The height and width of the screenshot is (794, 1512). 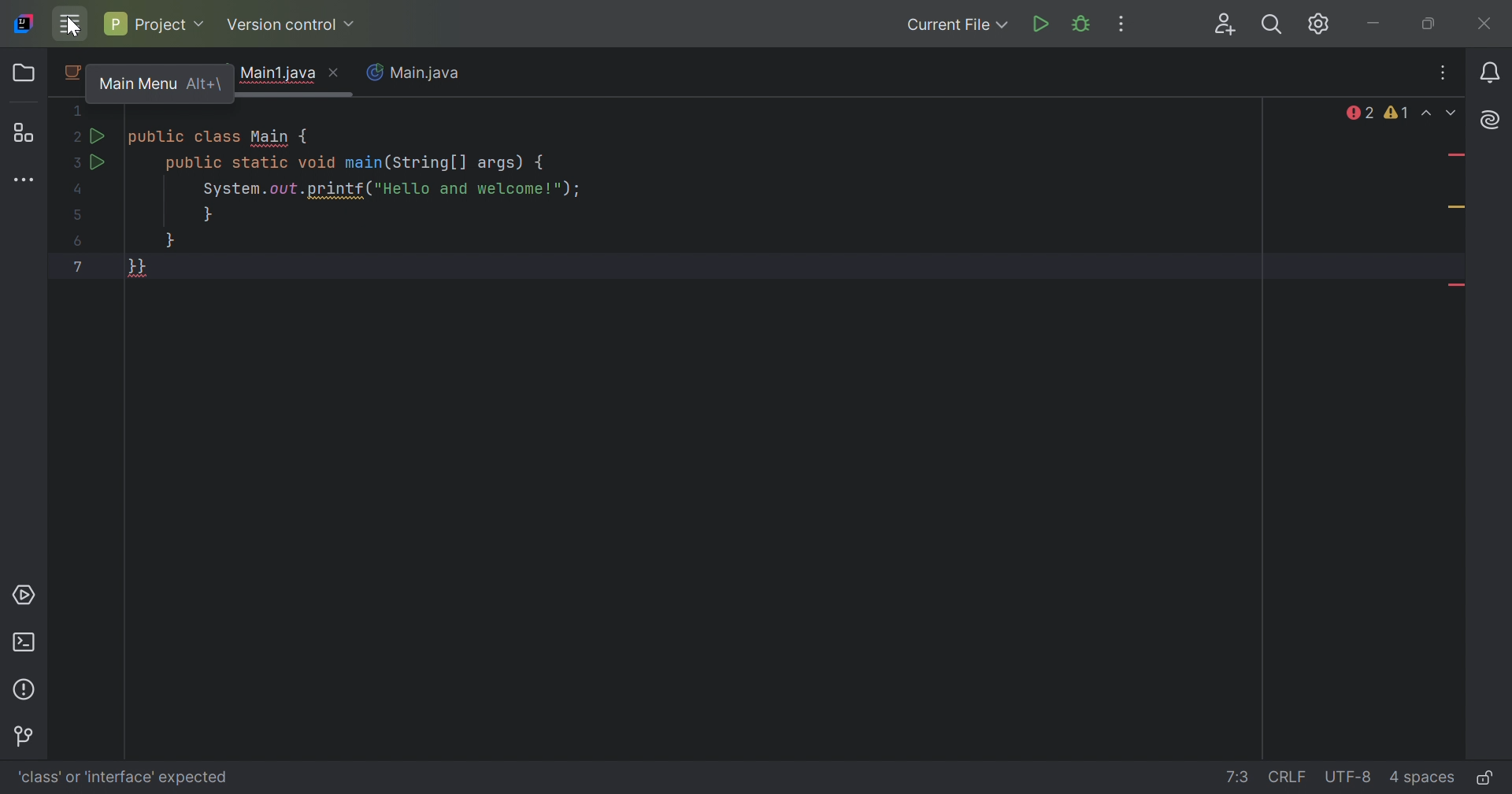 What do you see at coordinates (73, 139) in the screenshot?
I see `2` at bounding box center [73, 139].